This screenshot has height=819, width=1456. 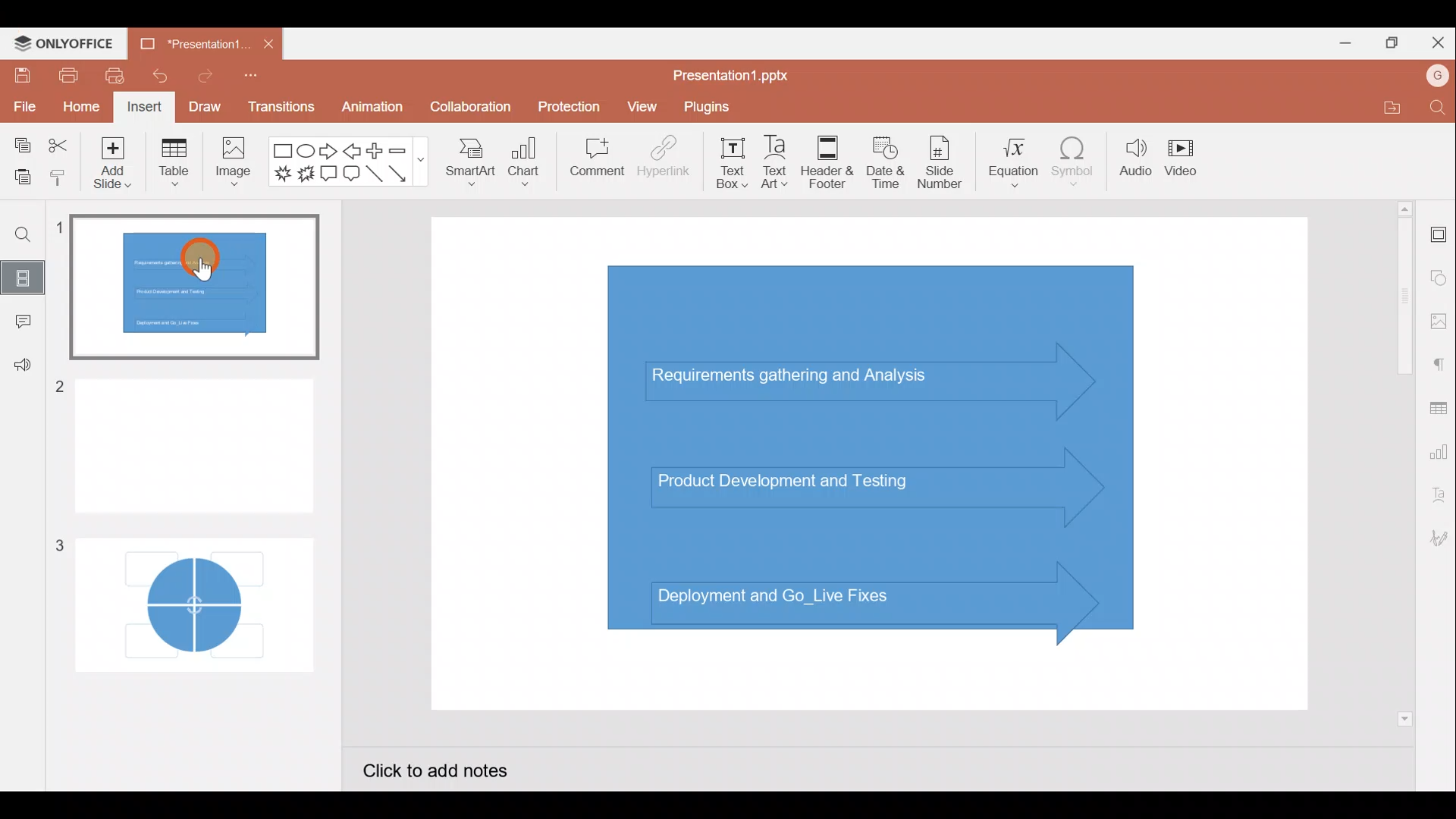 I want to click on Comment, so click(x=592, y=158).